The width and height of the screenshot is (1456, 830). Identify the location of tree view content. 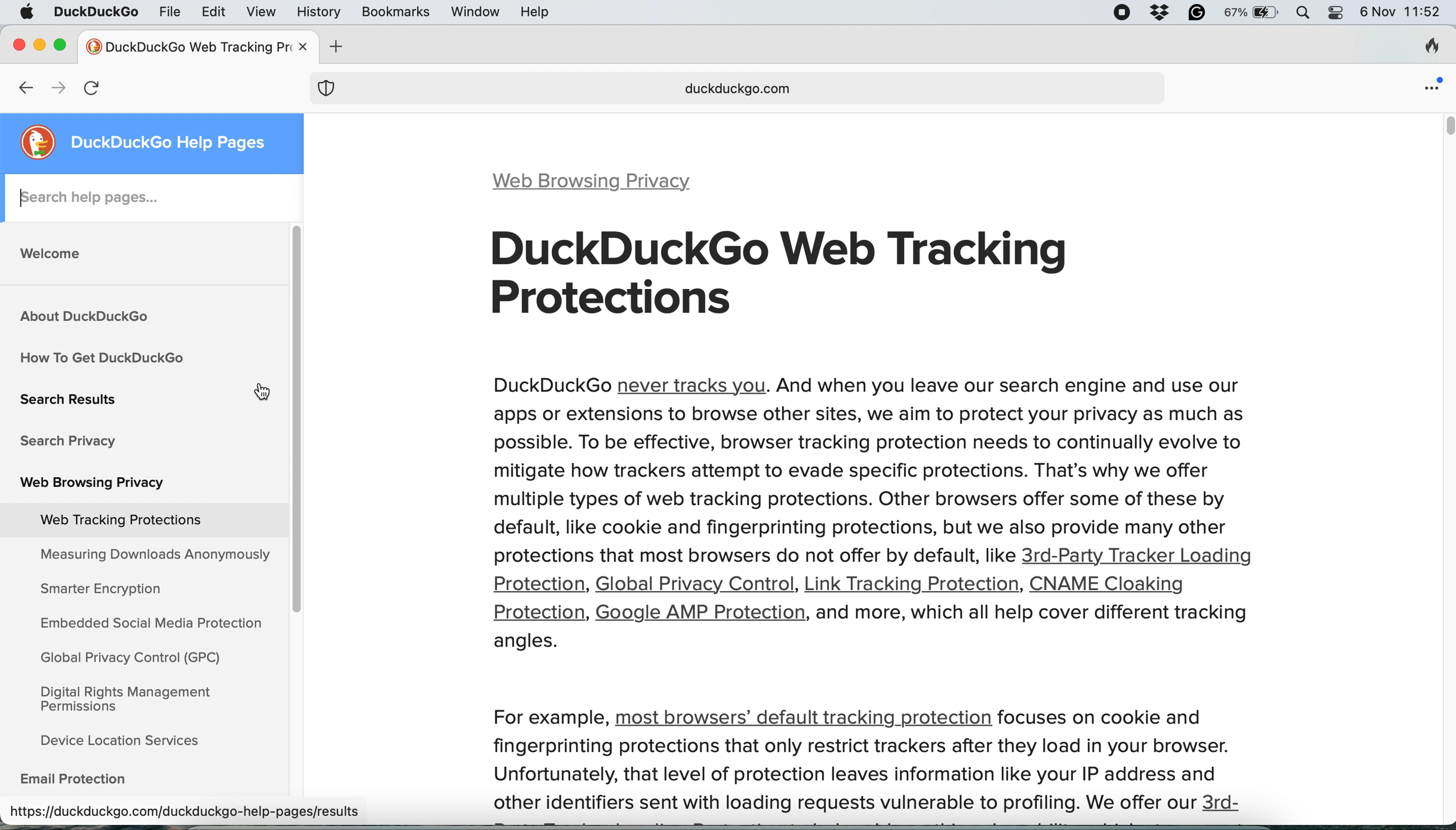
(140, 506).